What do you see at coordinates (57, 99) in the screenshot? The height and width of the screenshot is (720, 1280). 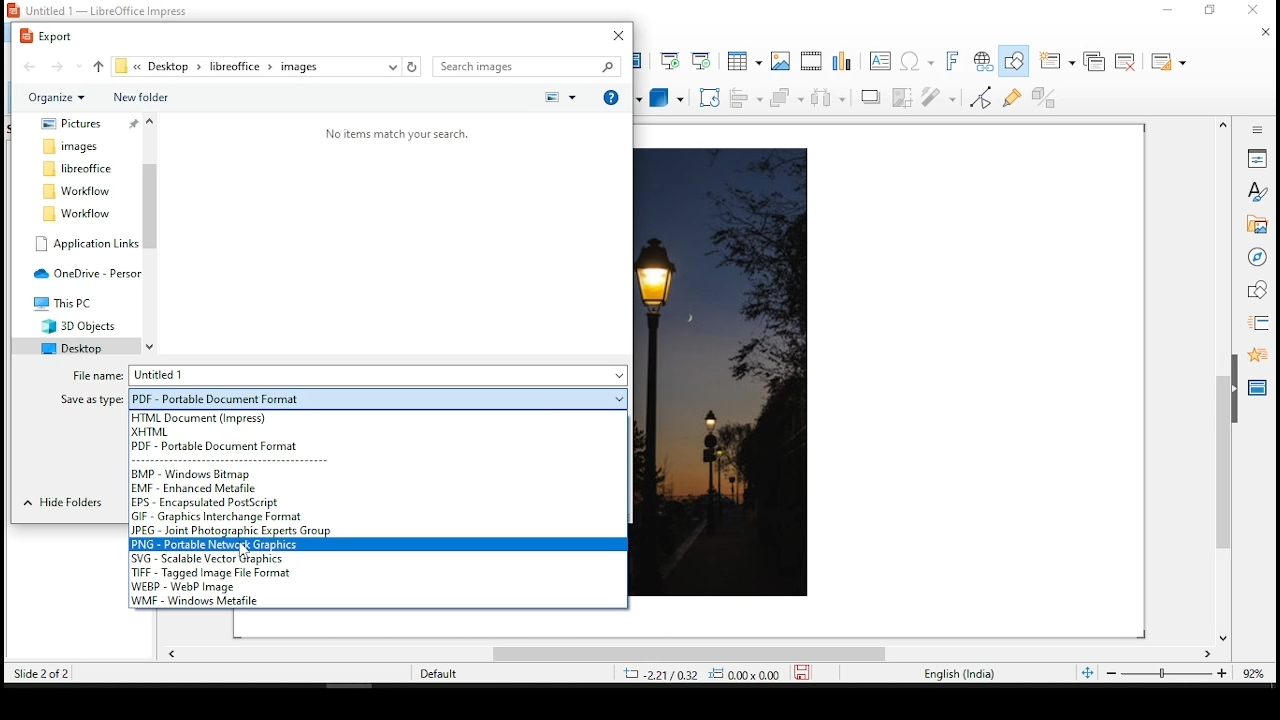 I see `organize` at bounding box center [57, 99].